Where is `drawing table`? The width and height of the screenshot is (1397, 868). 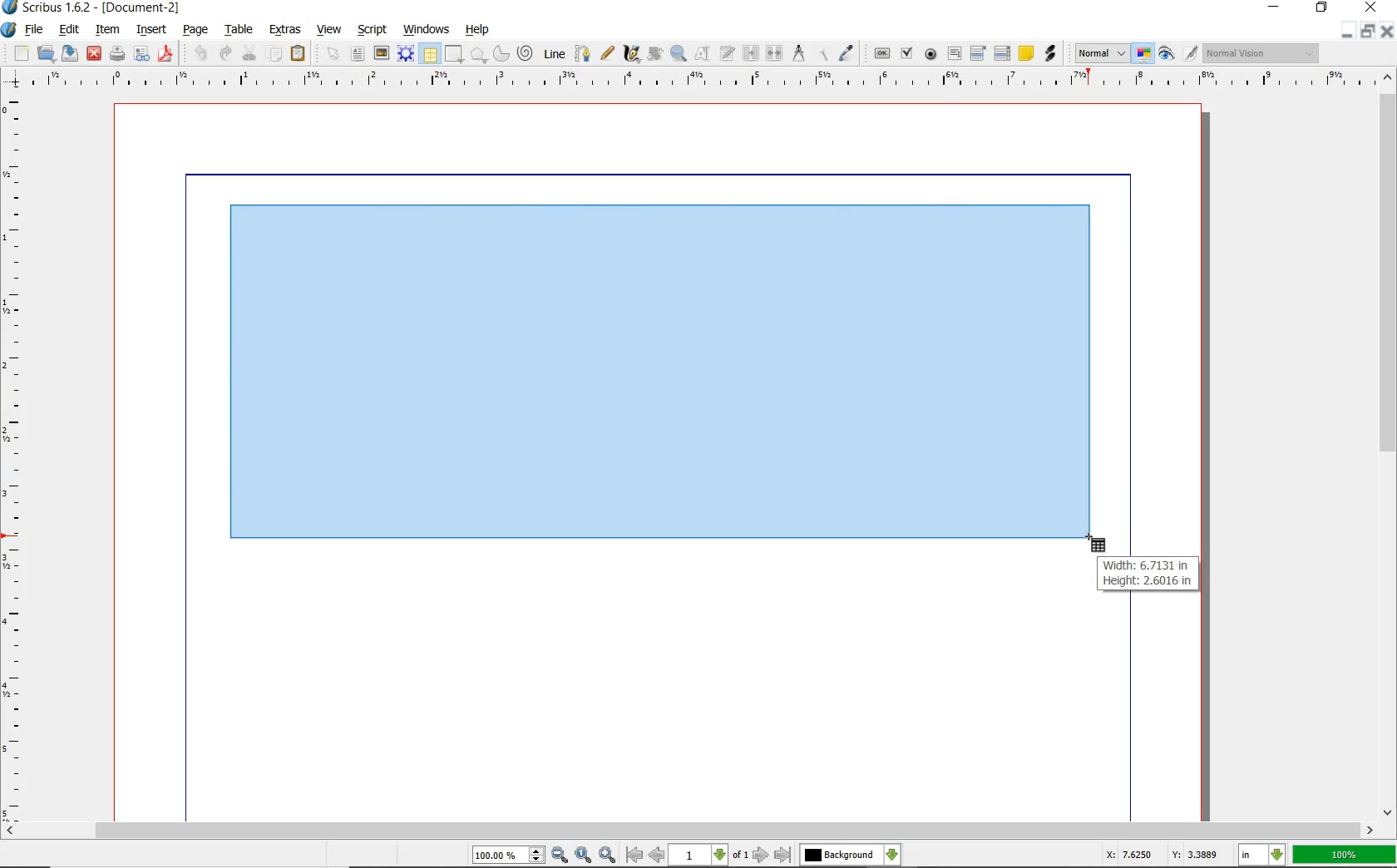 drawing table is located at coordinates (665, 376).